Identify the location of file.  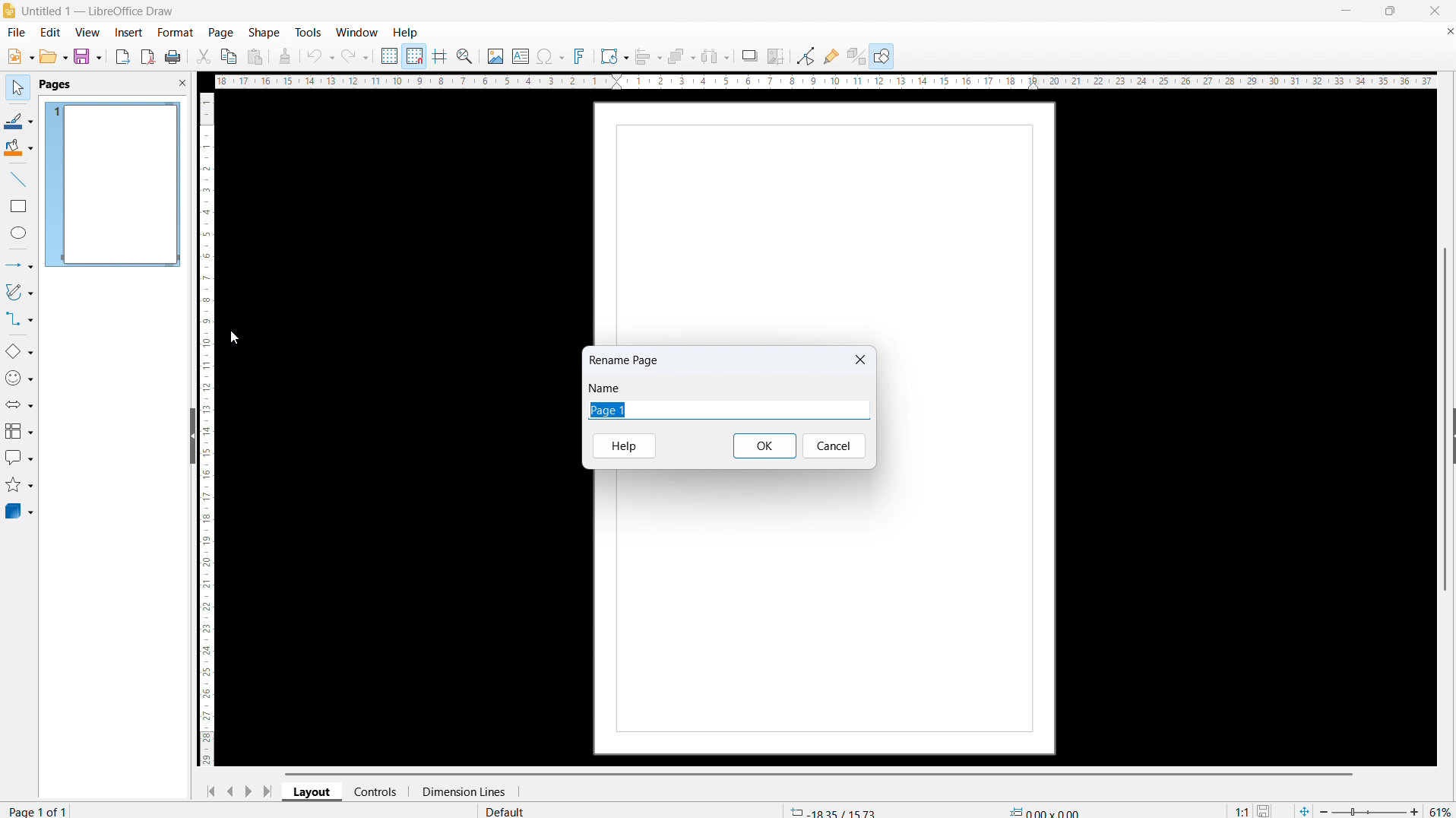
(17, 33).